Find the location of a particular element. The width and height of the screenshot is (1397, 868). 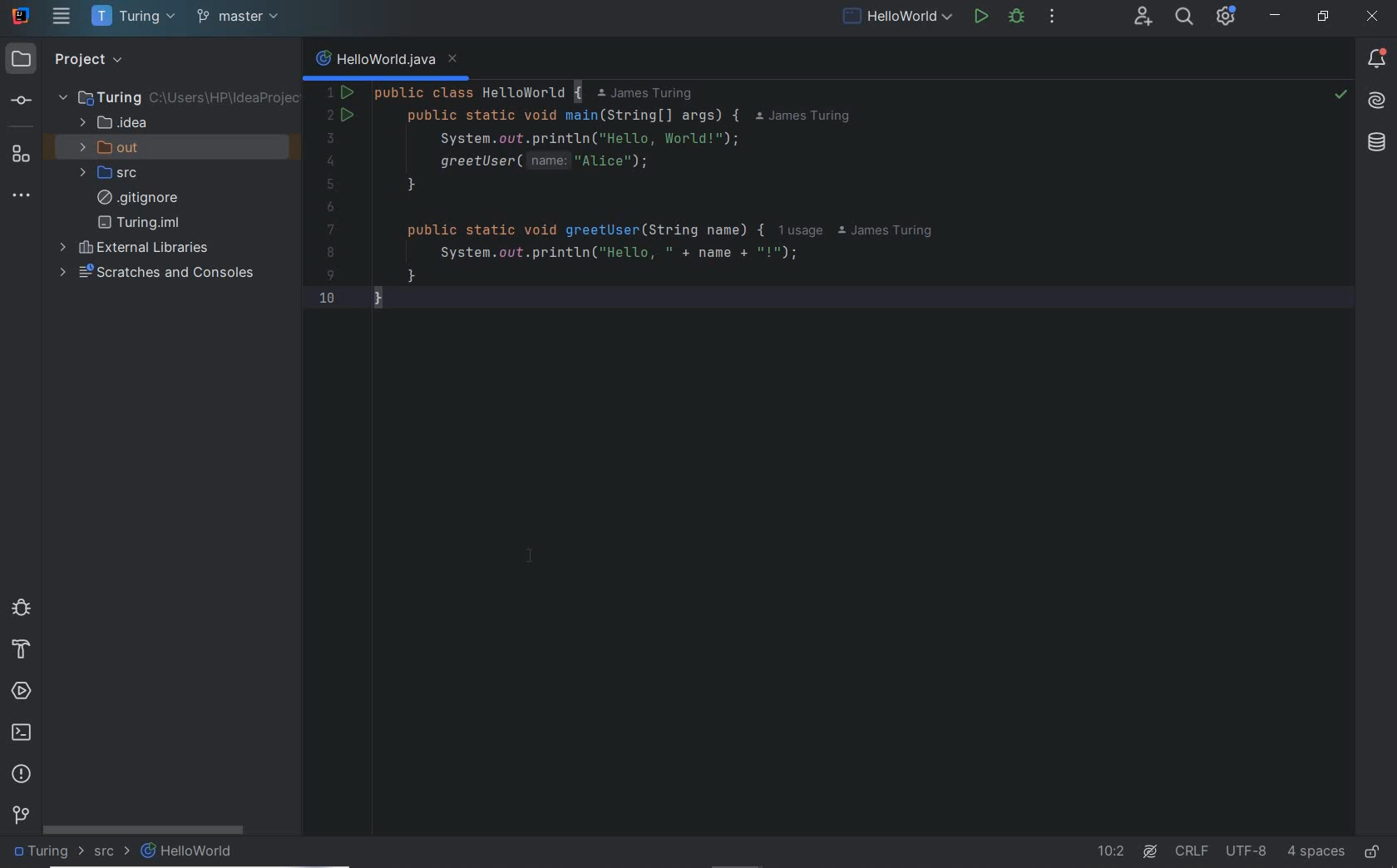

database is located at coordinates (1375, 144).